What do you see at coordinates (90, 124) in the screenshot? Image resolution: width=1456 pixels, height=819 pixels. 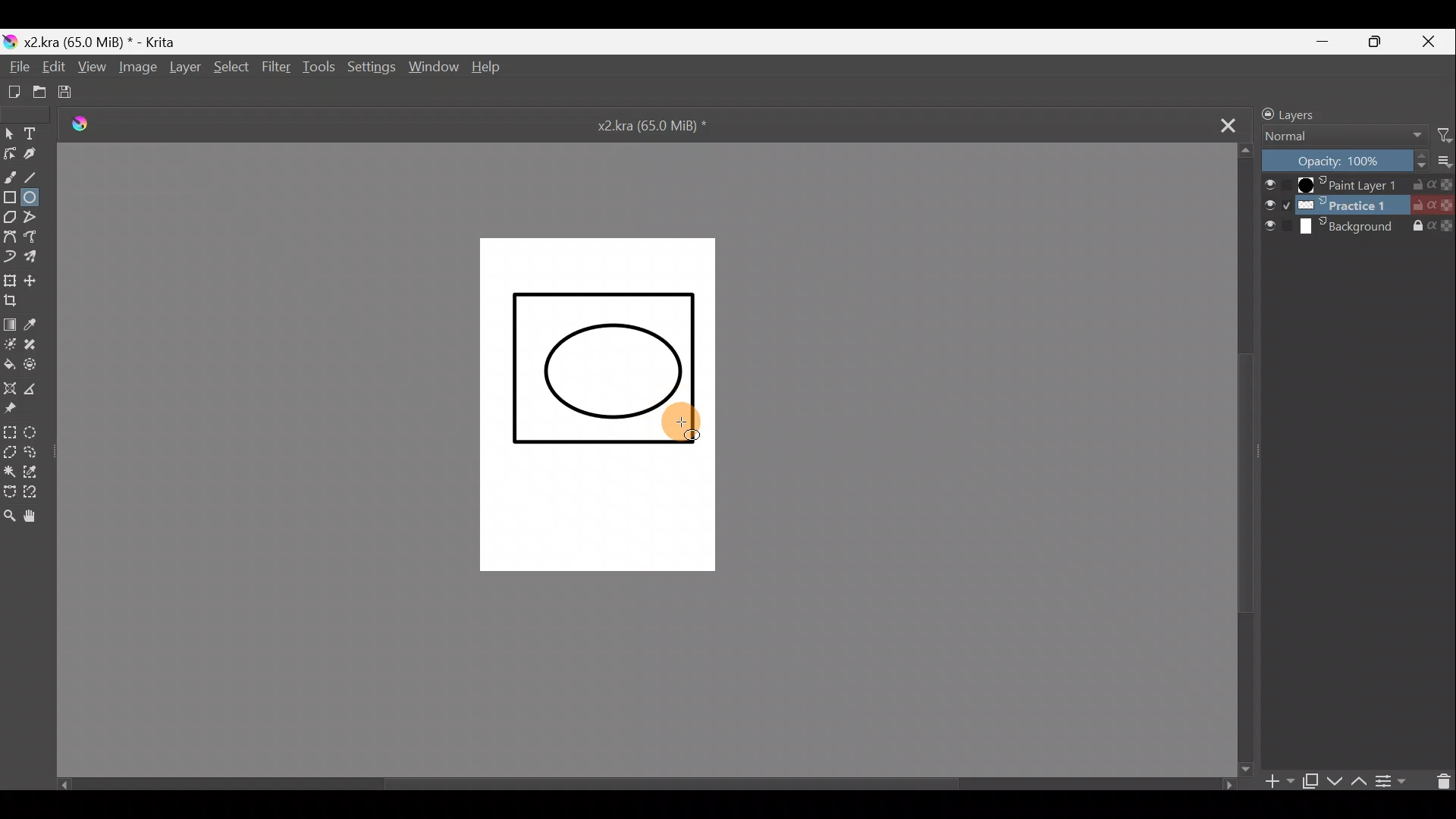 I see `Logo` at bounding box center [90, 124].